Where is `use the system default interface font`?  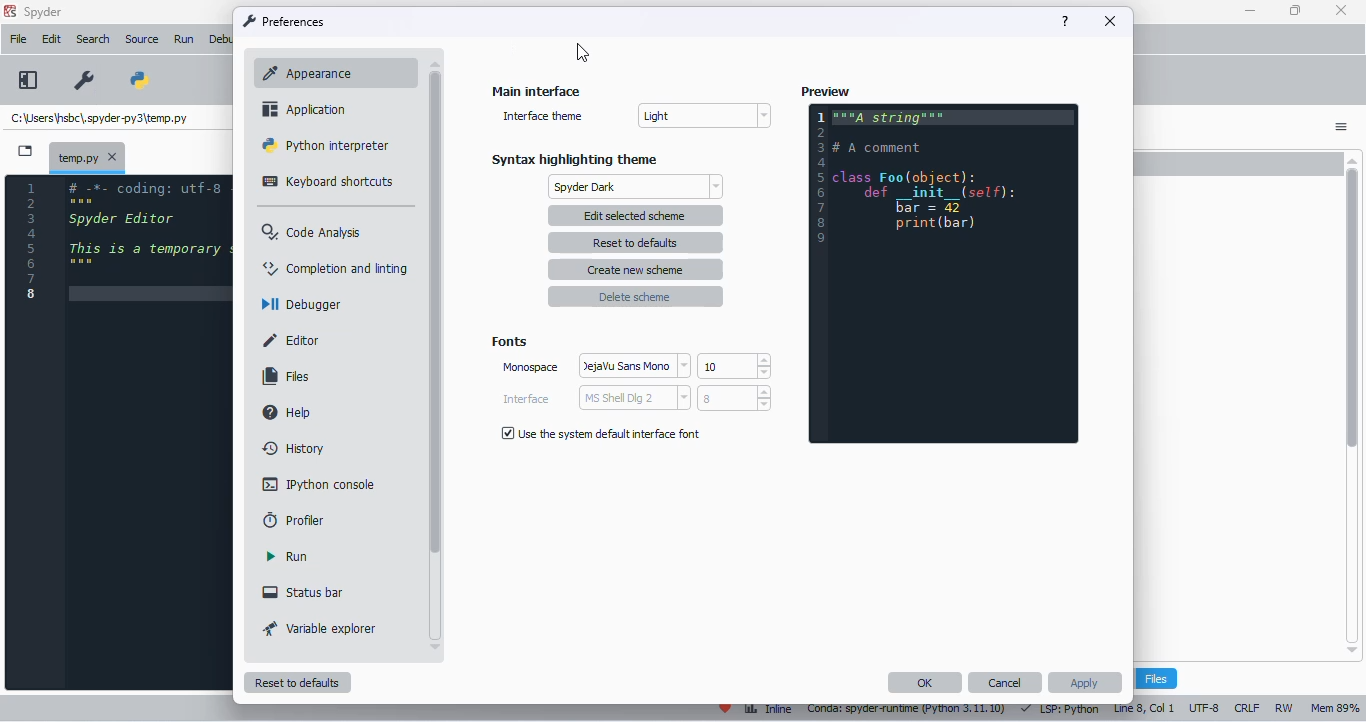
use the system default interface font is located at coordinates (602, 433).